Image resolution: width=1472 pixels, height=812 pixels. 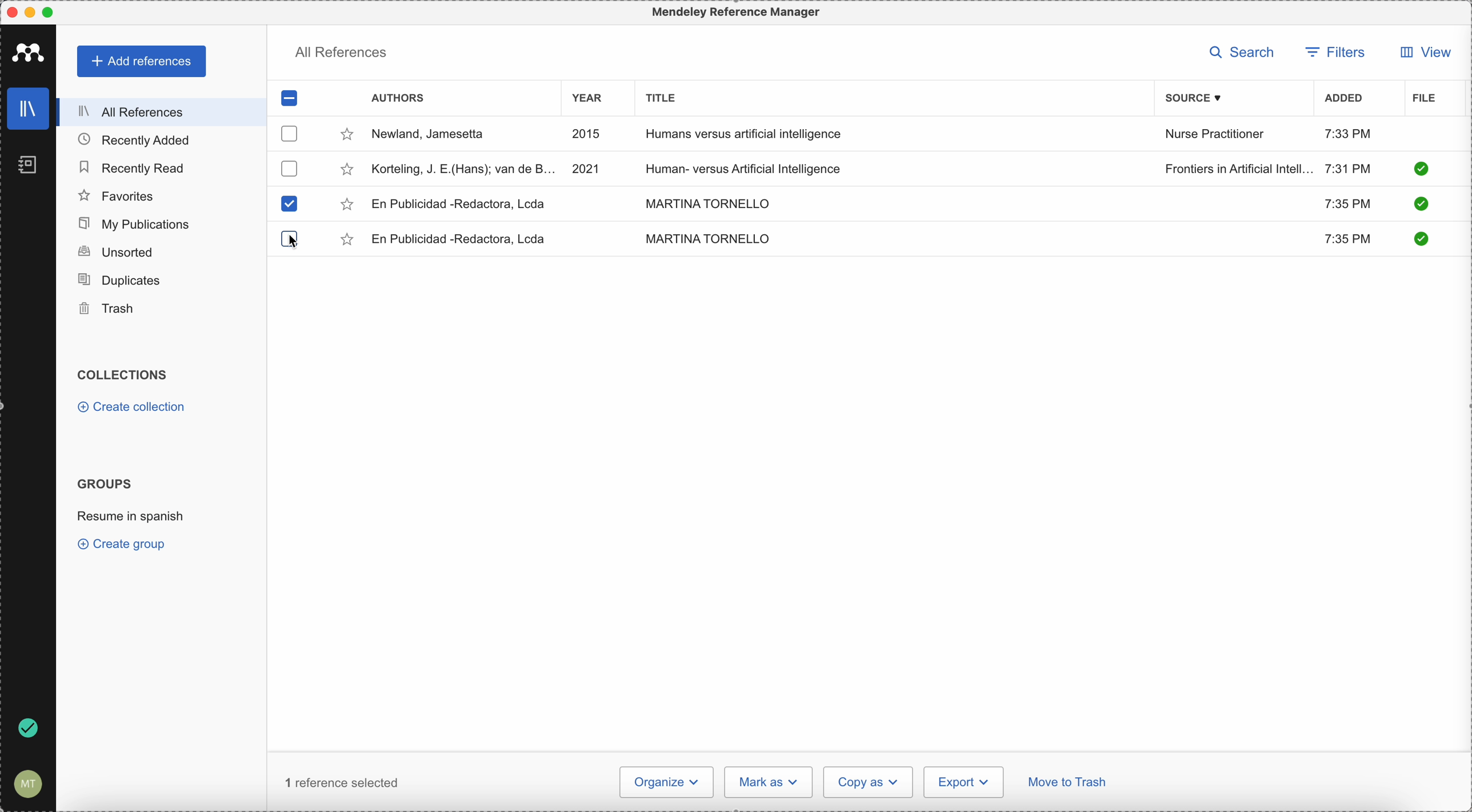 What do you see at coordinates (398, 99) in the screenshot?
I see `authors` at bounding box center [398, 99].